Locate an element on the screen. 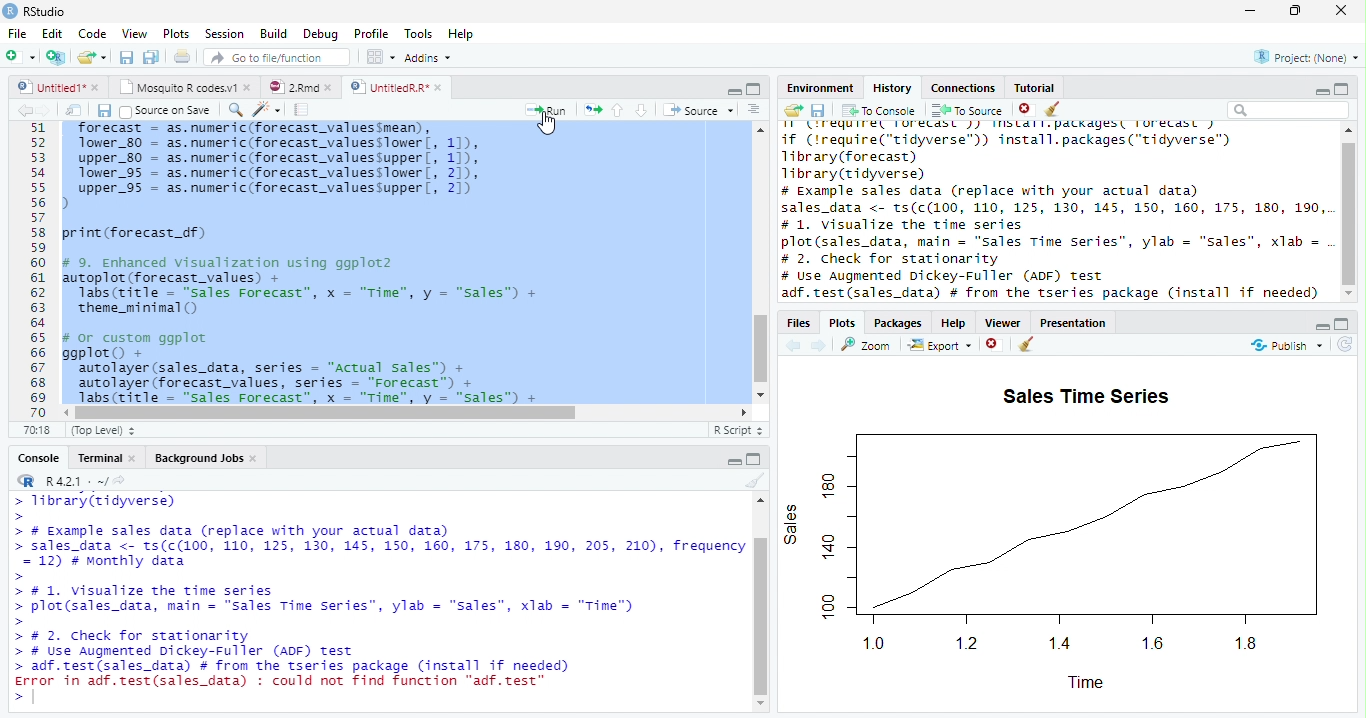  Code is located at coordinates (94, 33).